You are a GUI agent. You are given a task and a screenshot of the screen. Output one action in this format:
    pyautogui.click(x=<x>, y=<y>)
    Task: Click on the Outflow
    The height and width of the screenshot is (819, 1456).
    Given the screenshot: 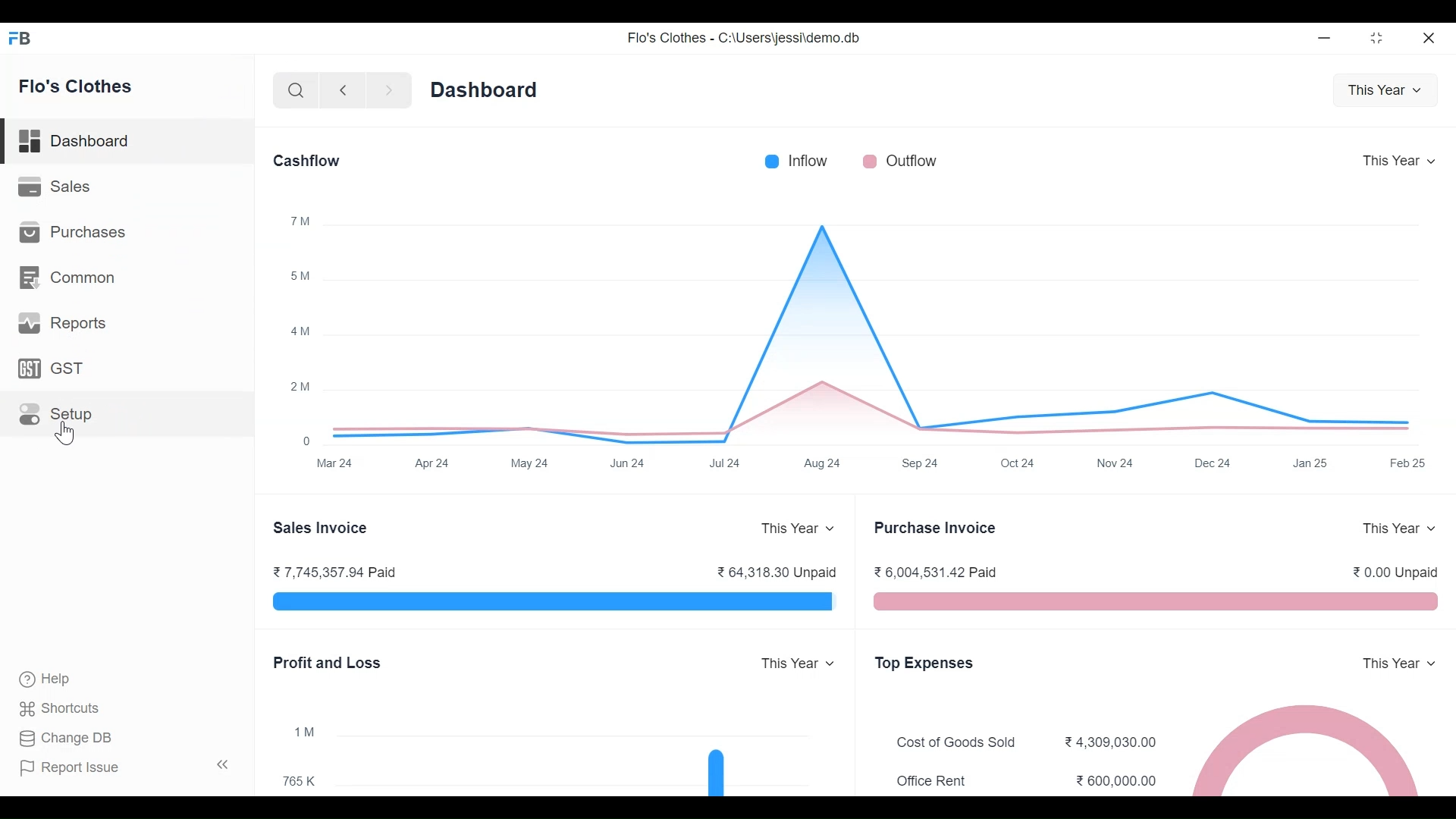 What is the action you would take?
    pyautogui.click(x=917, y=160)
    